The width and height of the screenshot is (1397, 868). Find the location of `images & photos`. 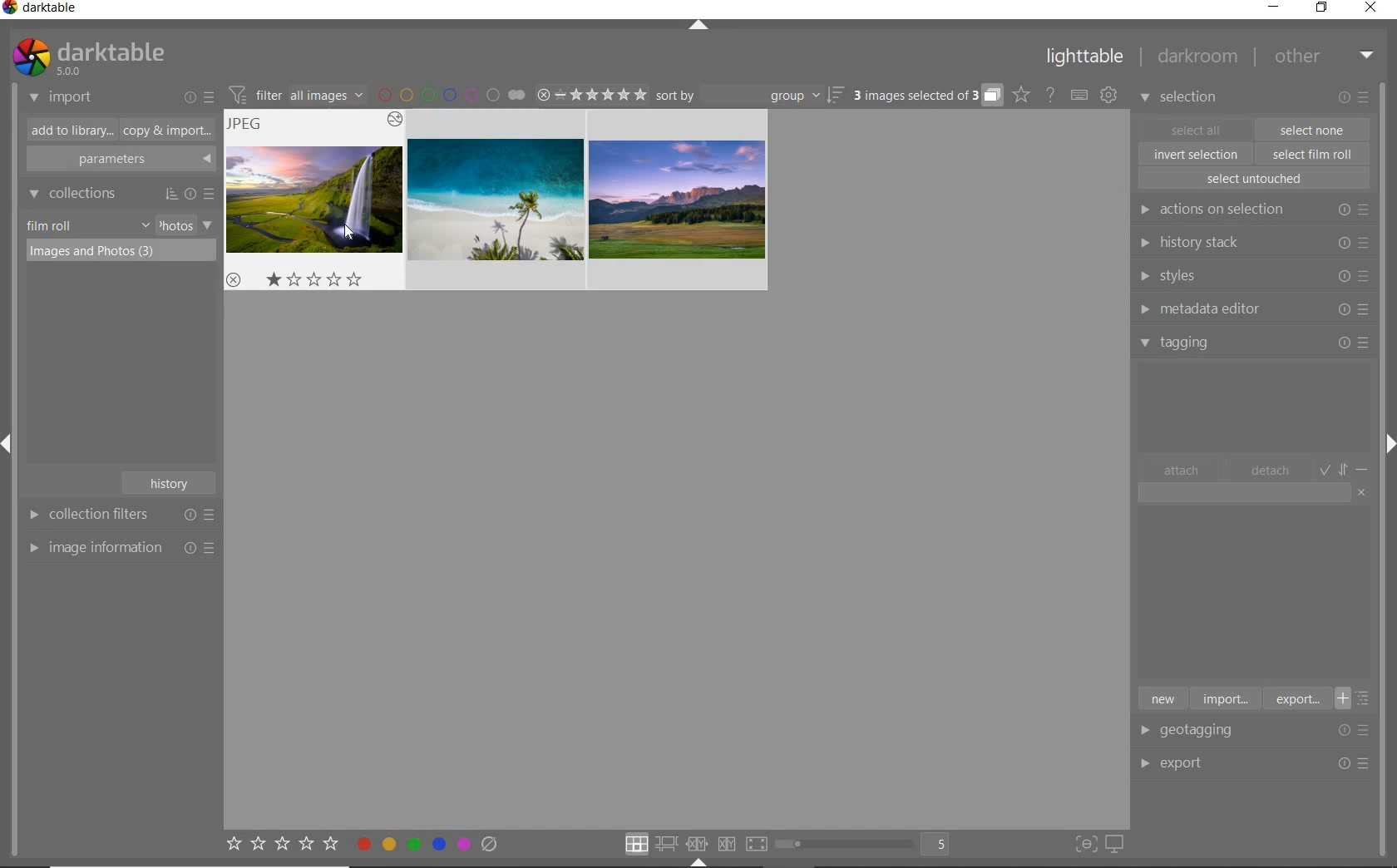

images & photos is located at coordinates (121, 252).